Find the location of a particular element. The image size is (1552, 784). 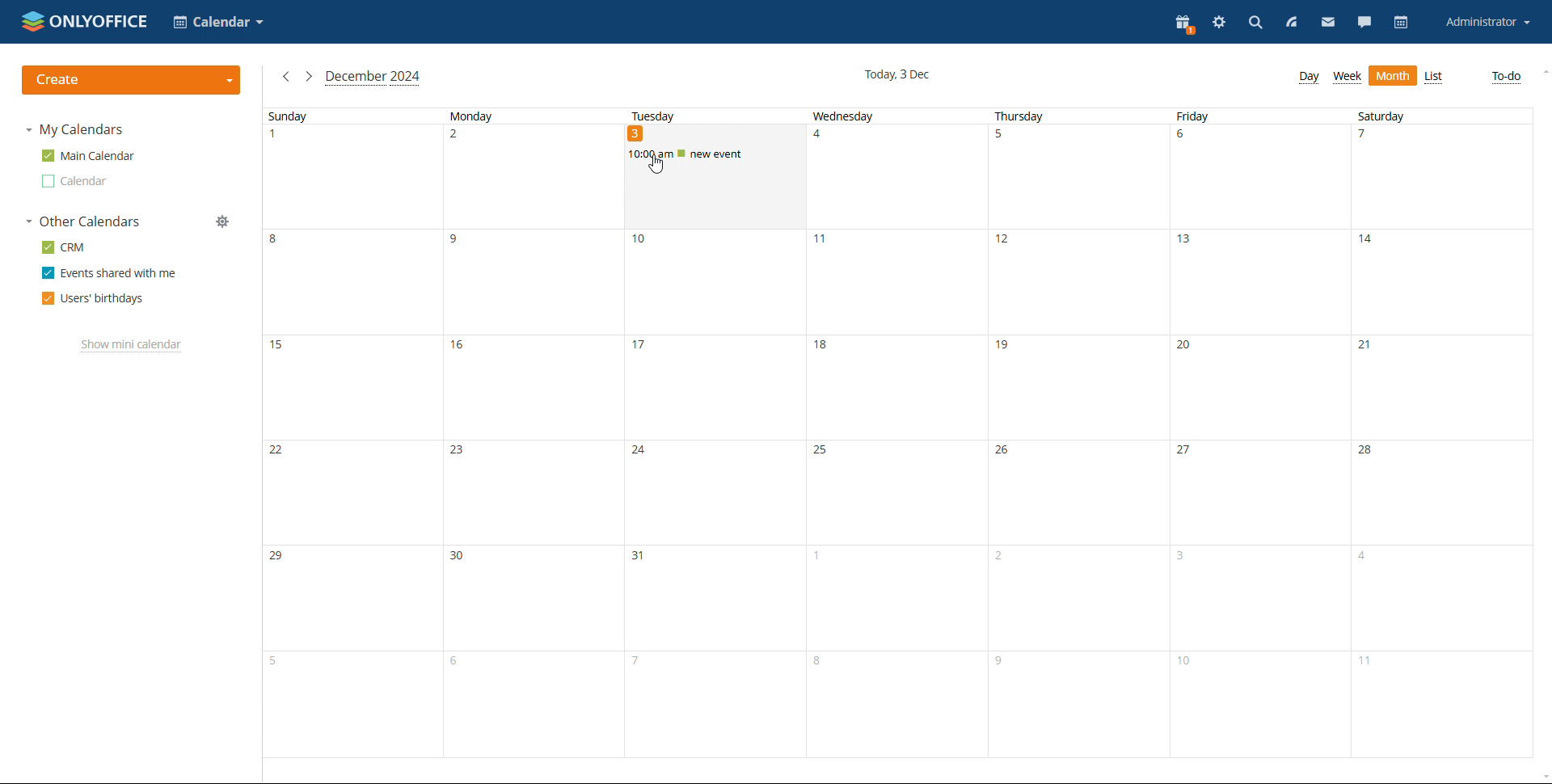

7 is located at coordinates (1442, 176).